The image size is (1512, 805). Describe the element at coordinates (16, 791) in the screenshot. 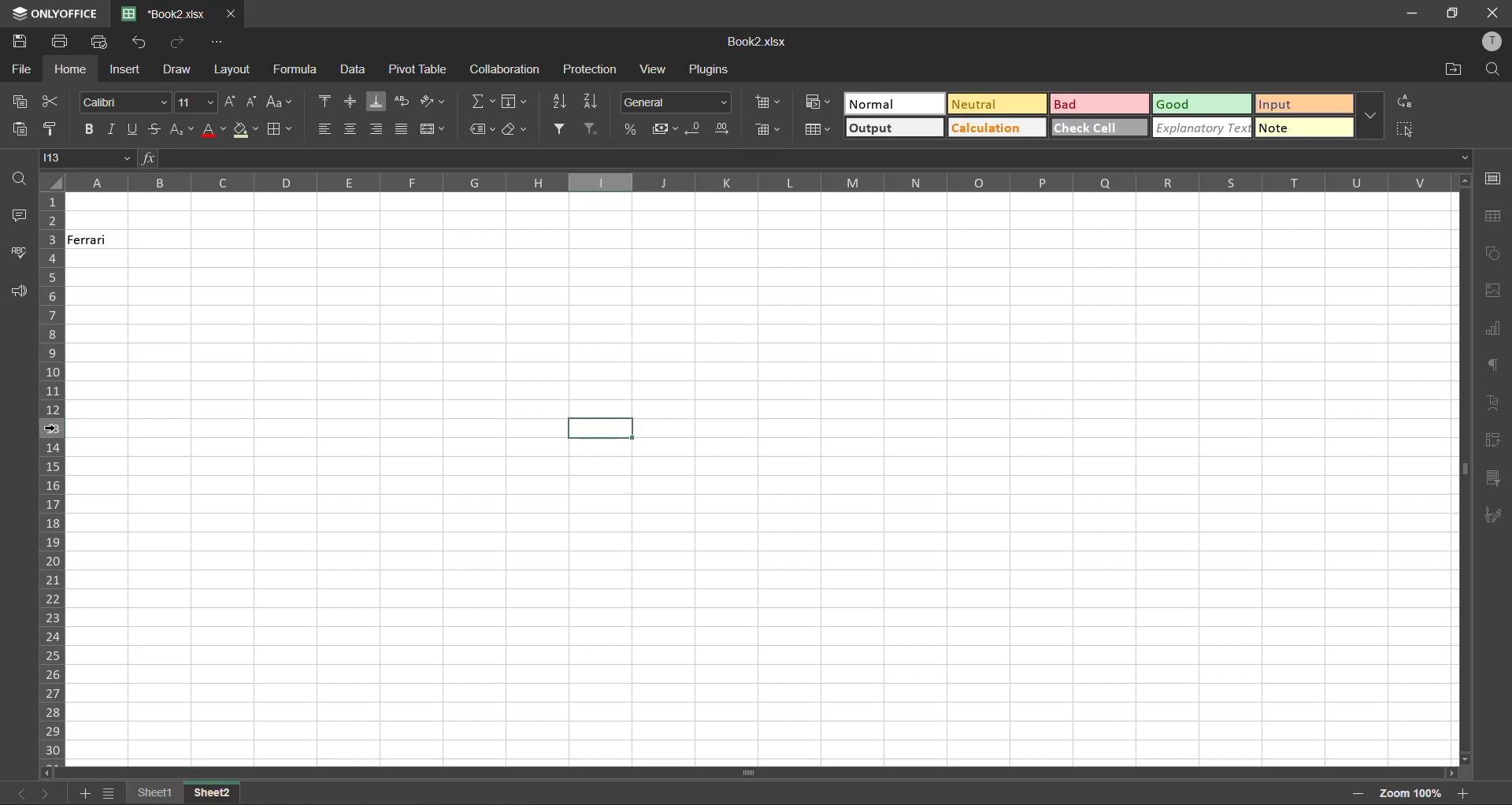

I see `previous` at that location.